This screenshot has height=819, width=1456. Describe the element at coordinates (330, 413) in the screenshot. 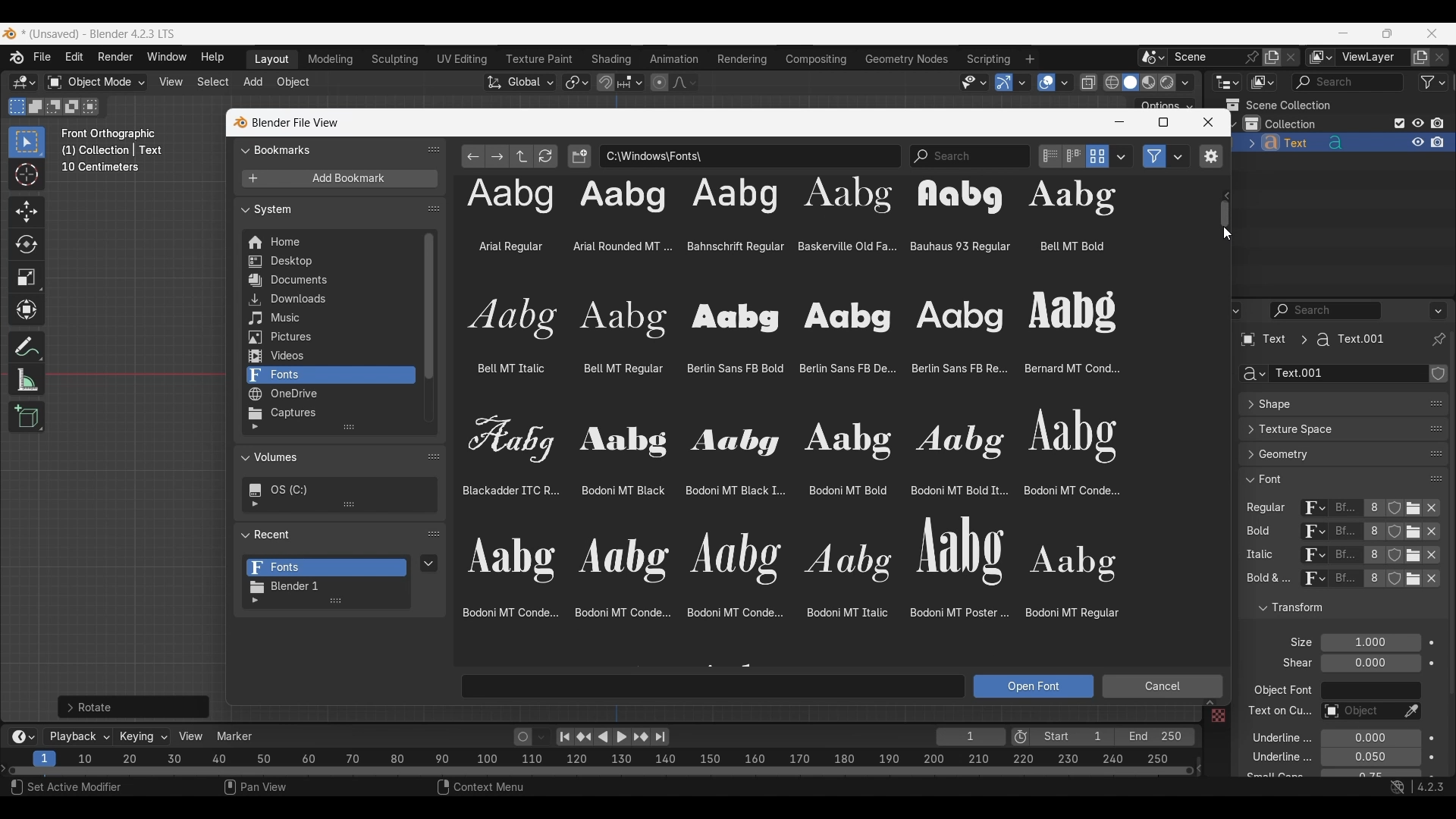

I see `Captures folder` at that location.